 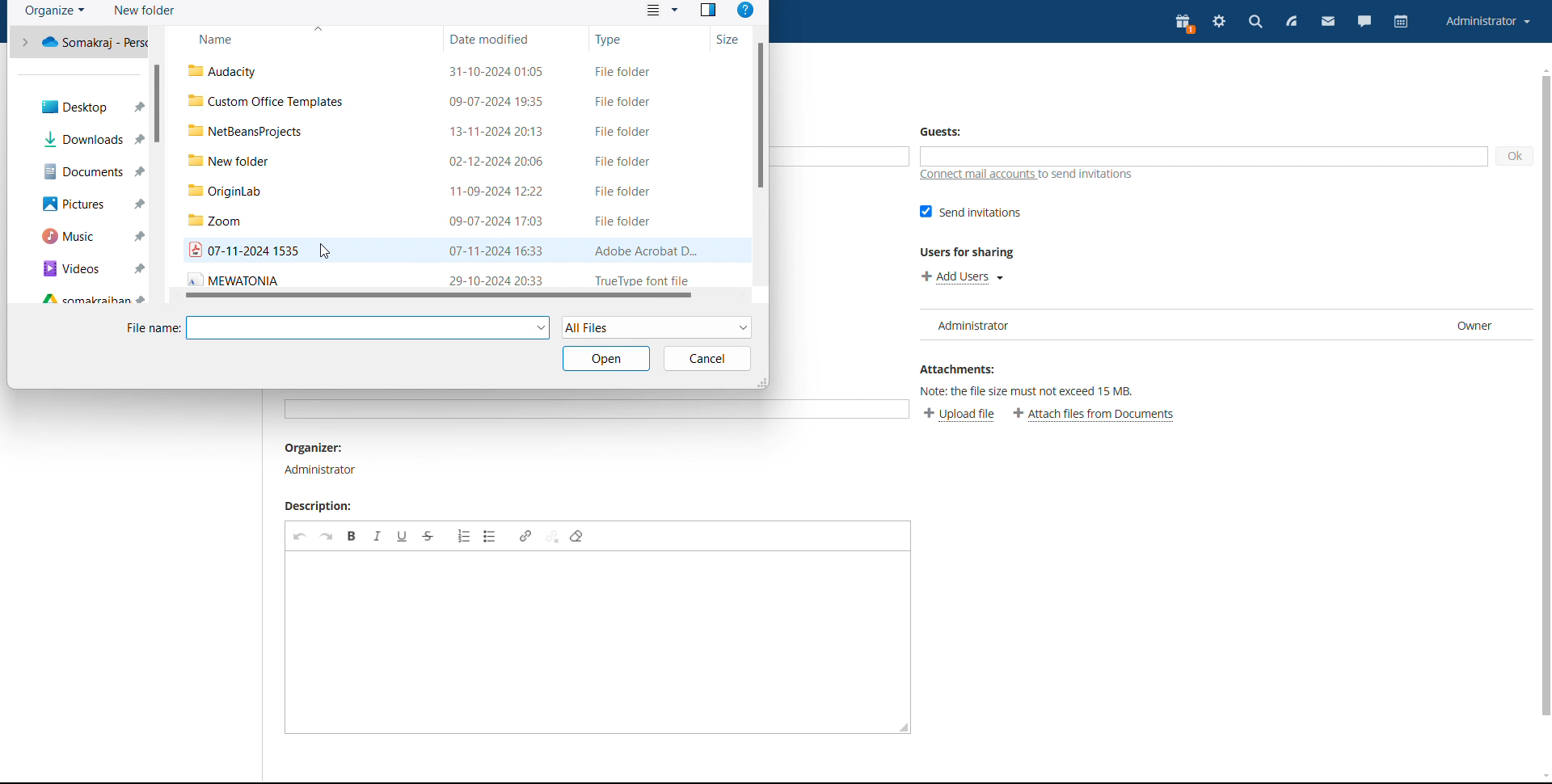 I want to click on undo, so click(x=300, y=536).